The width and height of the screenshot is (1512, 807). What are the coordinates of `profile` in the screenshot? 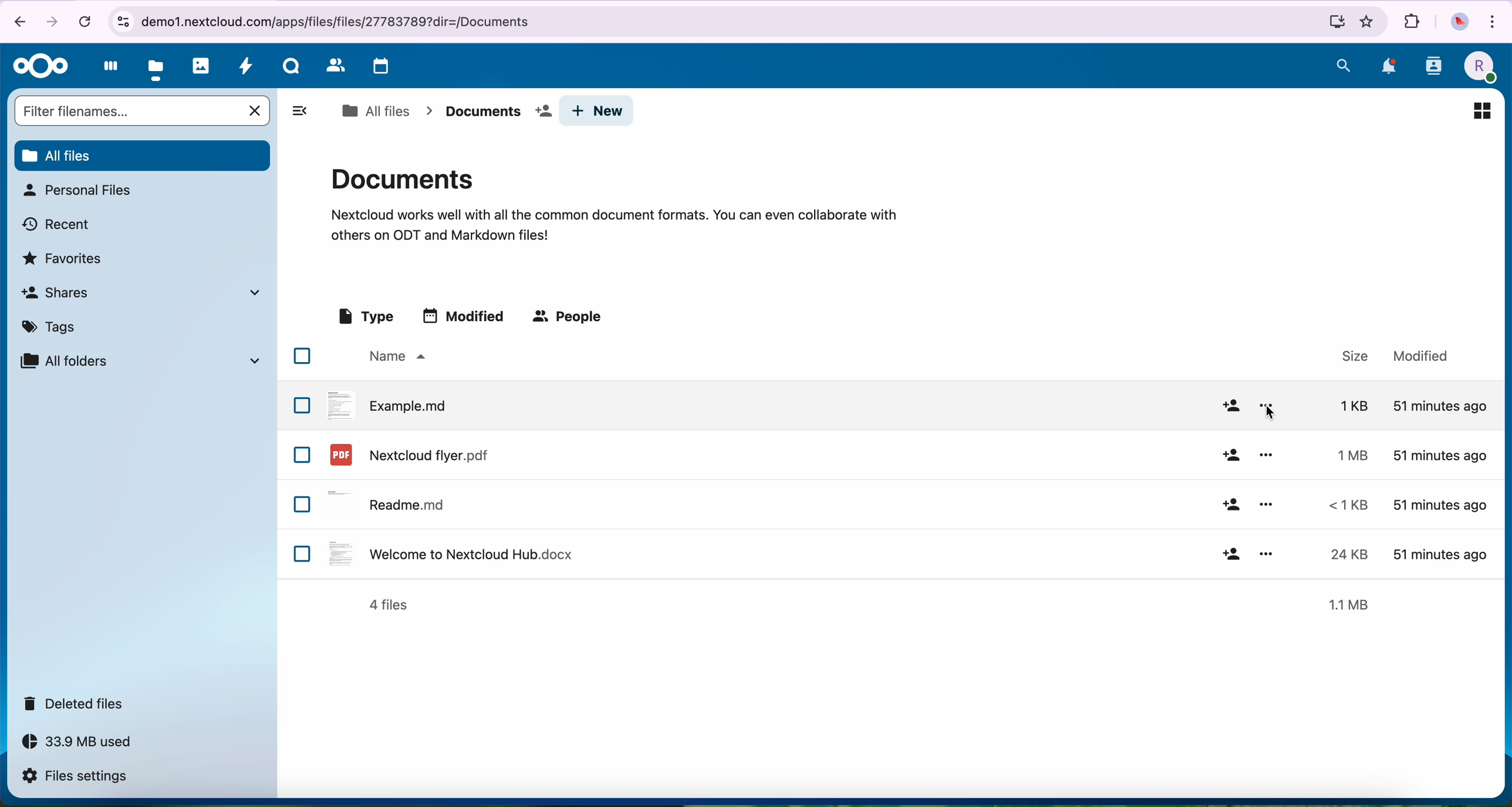 It's located at (1478, 67).